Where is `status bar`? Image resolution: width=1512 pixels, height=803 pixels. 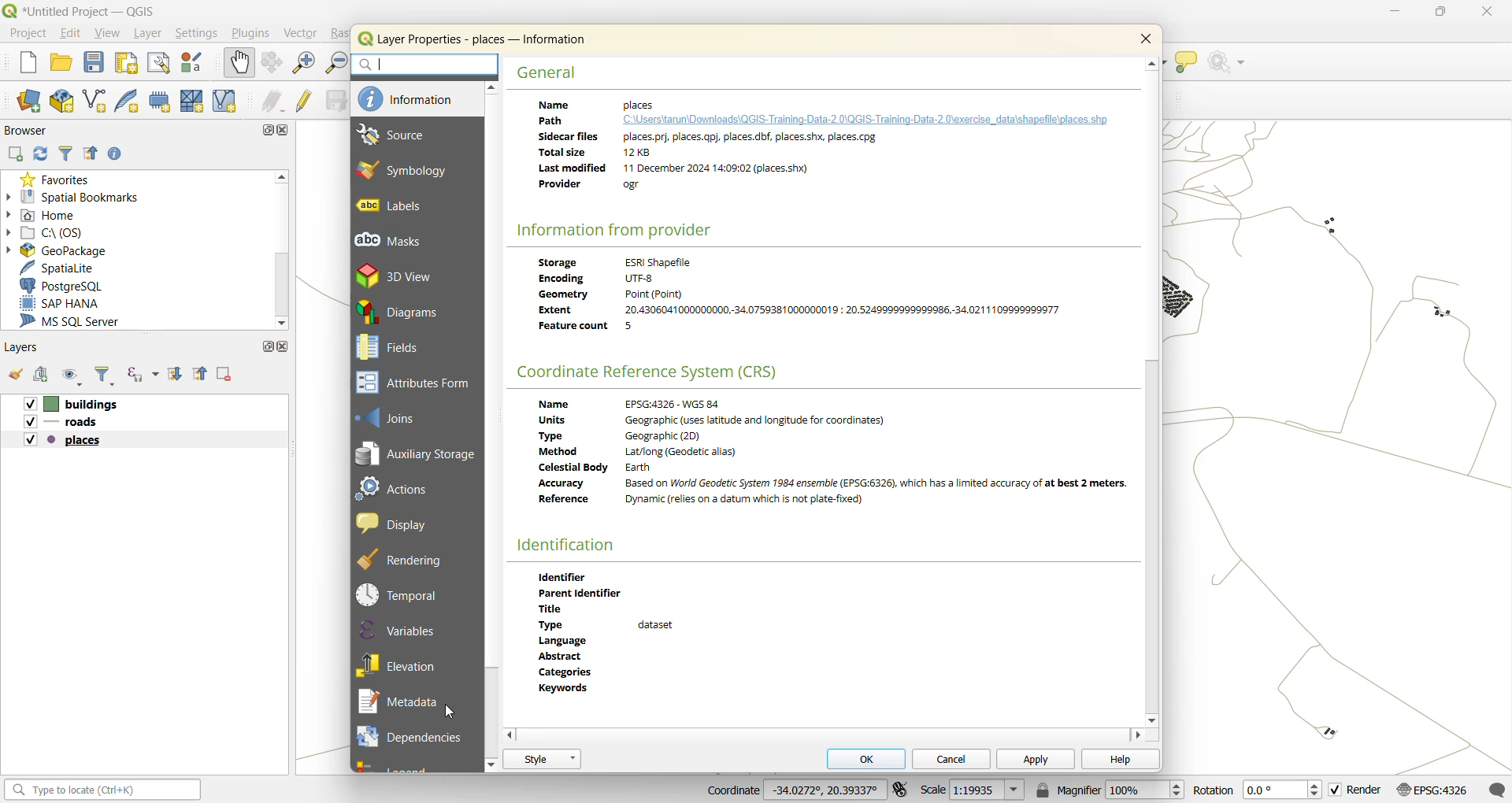 status bar is located at coordinates (100, 789).